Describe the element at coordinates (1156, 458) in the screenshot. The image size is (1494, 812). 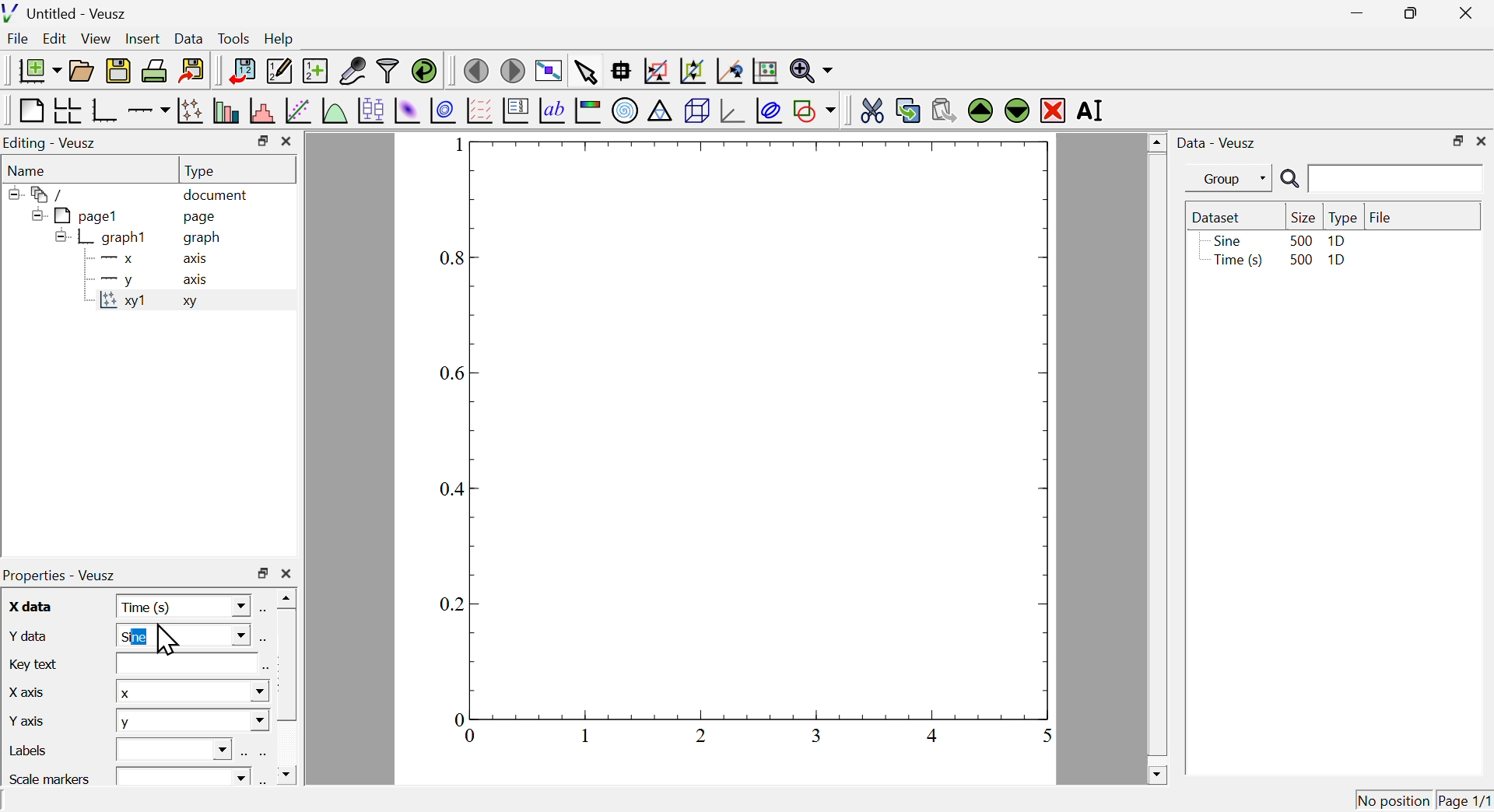
I see `scrollbar` at that location.